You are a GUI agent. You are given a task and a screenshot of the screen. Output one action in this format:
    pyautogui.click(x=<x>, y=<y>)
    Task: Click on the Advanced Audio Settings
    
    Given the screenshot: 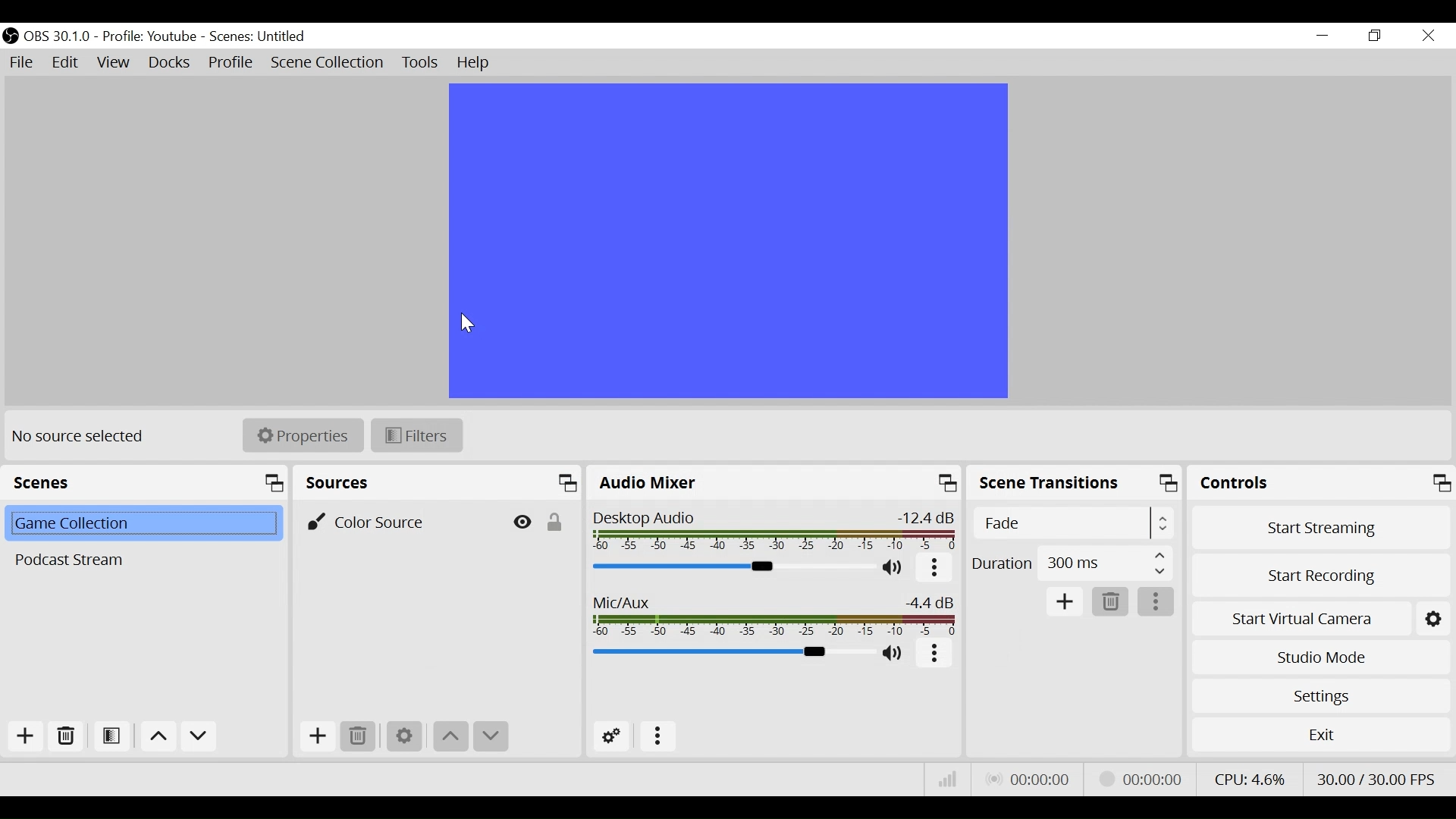 What is the action you would take?
    pyautogui.click(x=609, y=736)
    